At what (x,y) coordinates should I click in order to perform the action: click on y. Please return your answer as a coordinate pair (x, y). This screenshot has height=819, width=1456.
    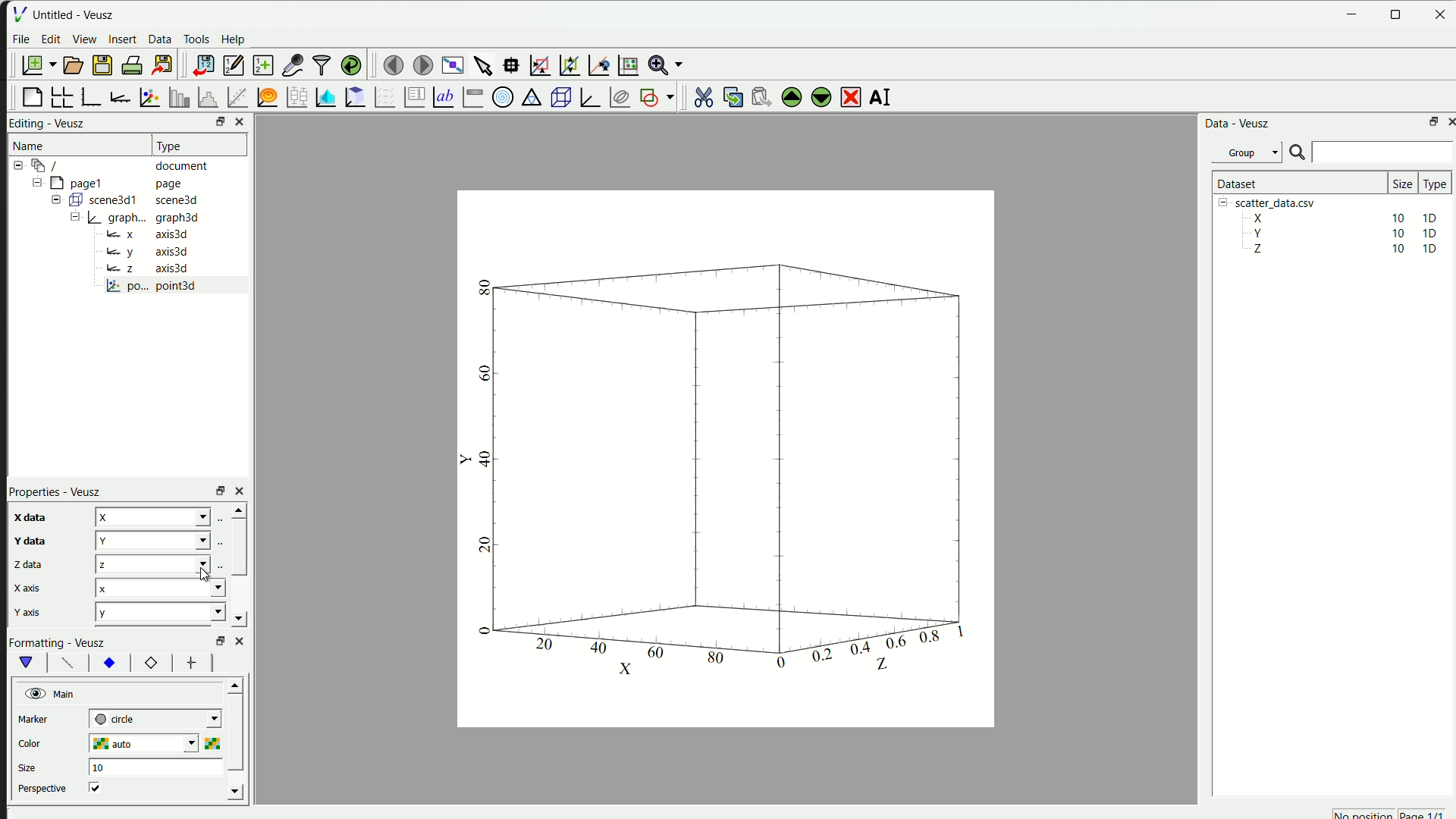
    Looking at the image, I should click on (168, 539).